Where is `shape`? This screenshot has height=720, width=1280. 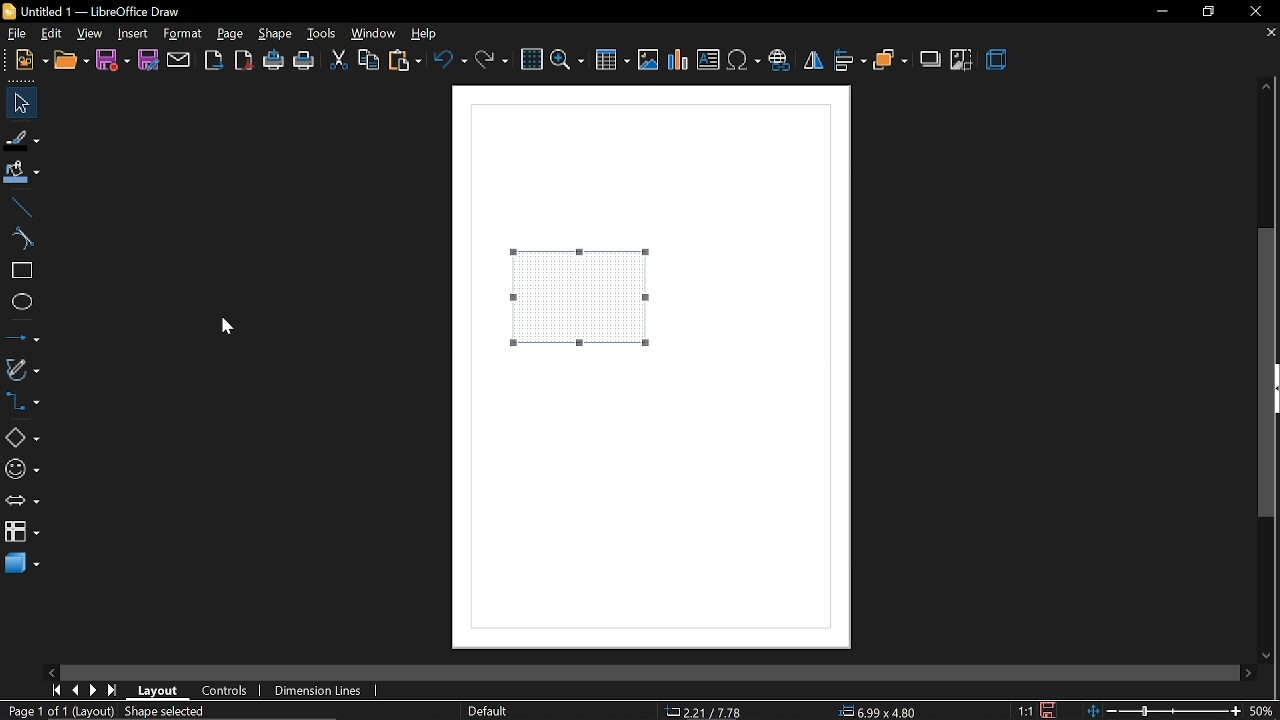
shape is located at coordinates (276, 34).